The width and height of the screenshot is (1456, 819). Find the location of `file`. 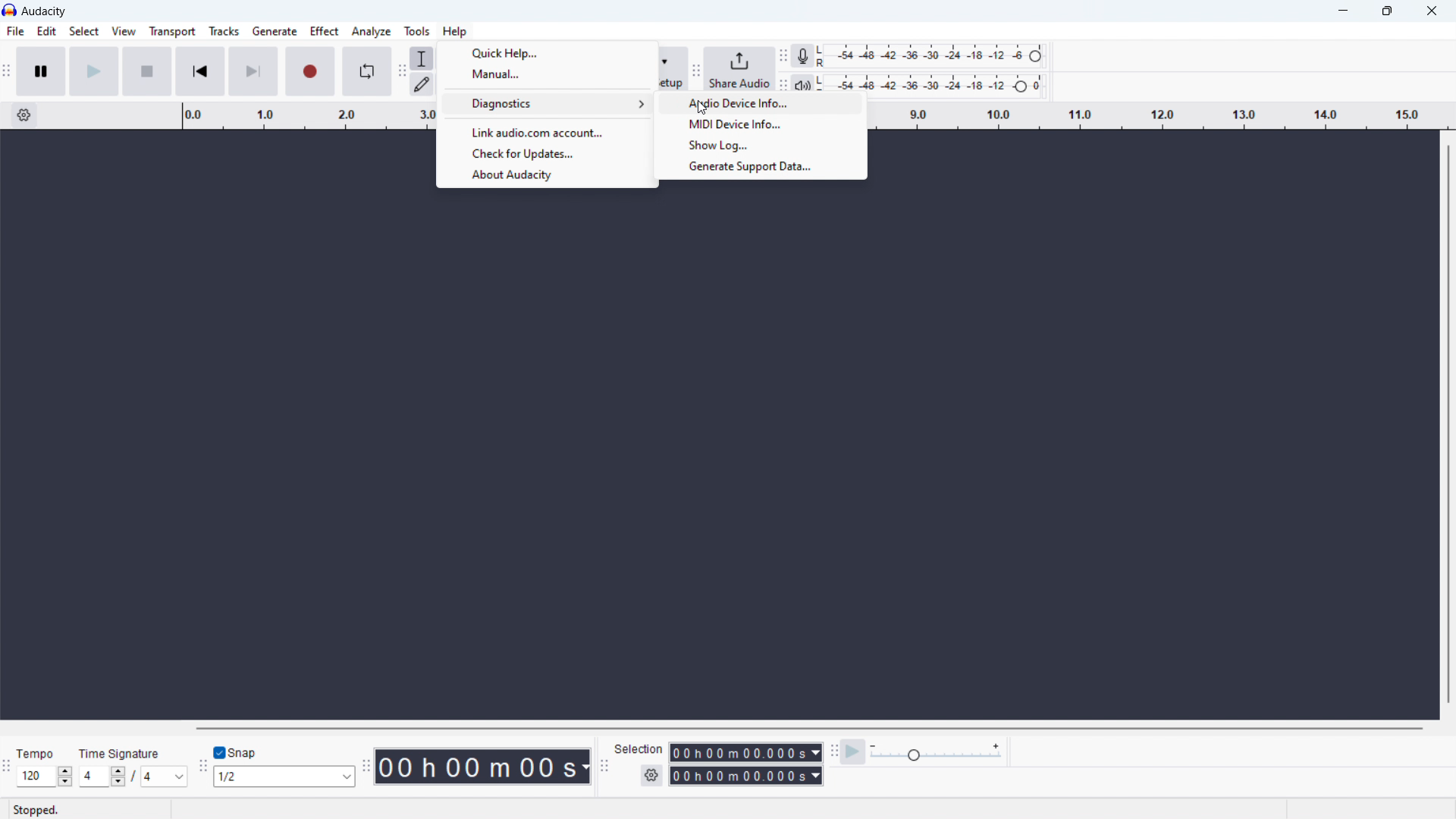

file is located at coordinates (14, 31).